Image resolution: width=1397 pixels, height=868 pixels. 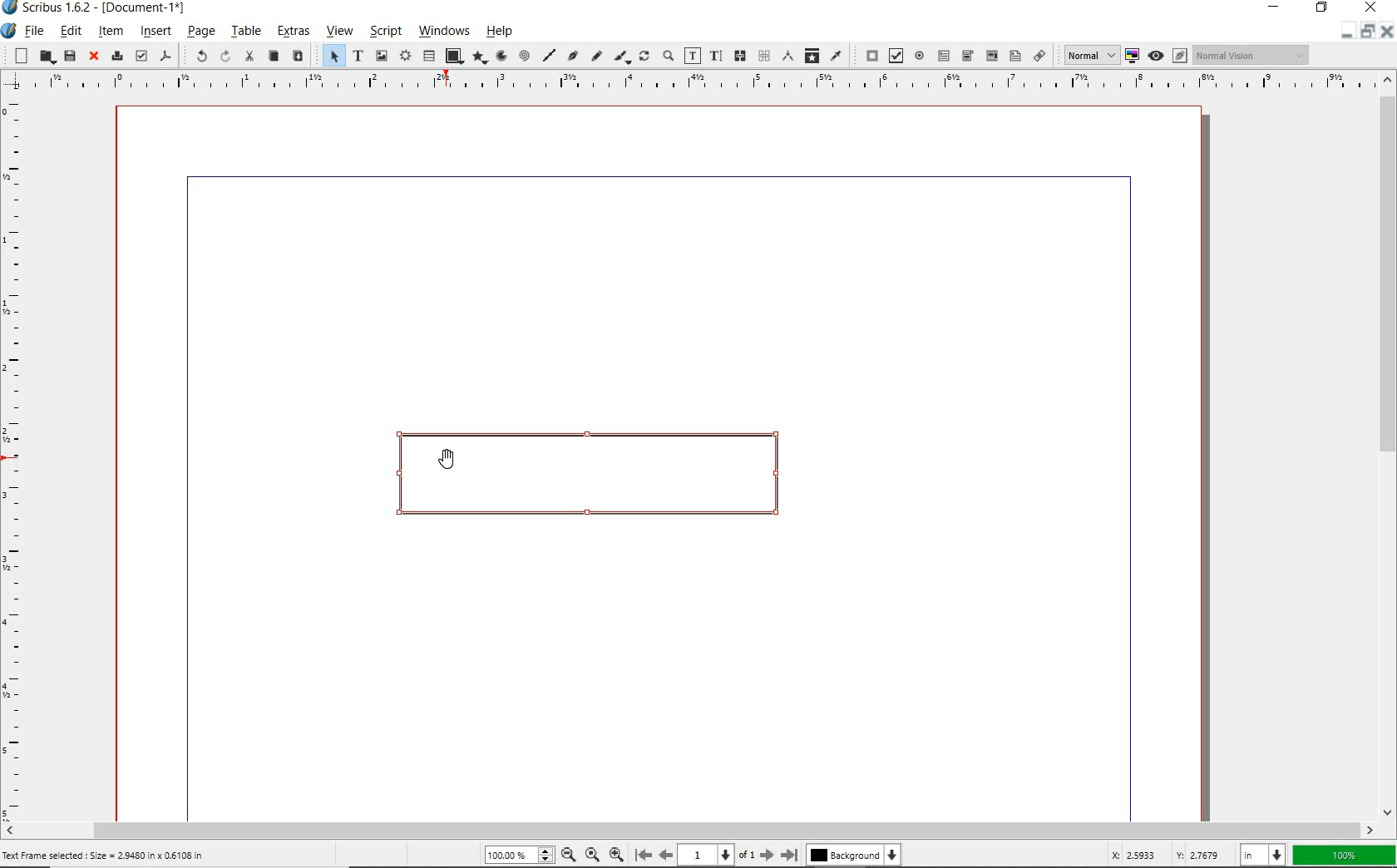 I want to click on measurements, so click(x=787, y=57).